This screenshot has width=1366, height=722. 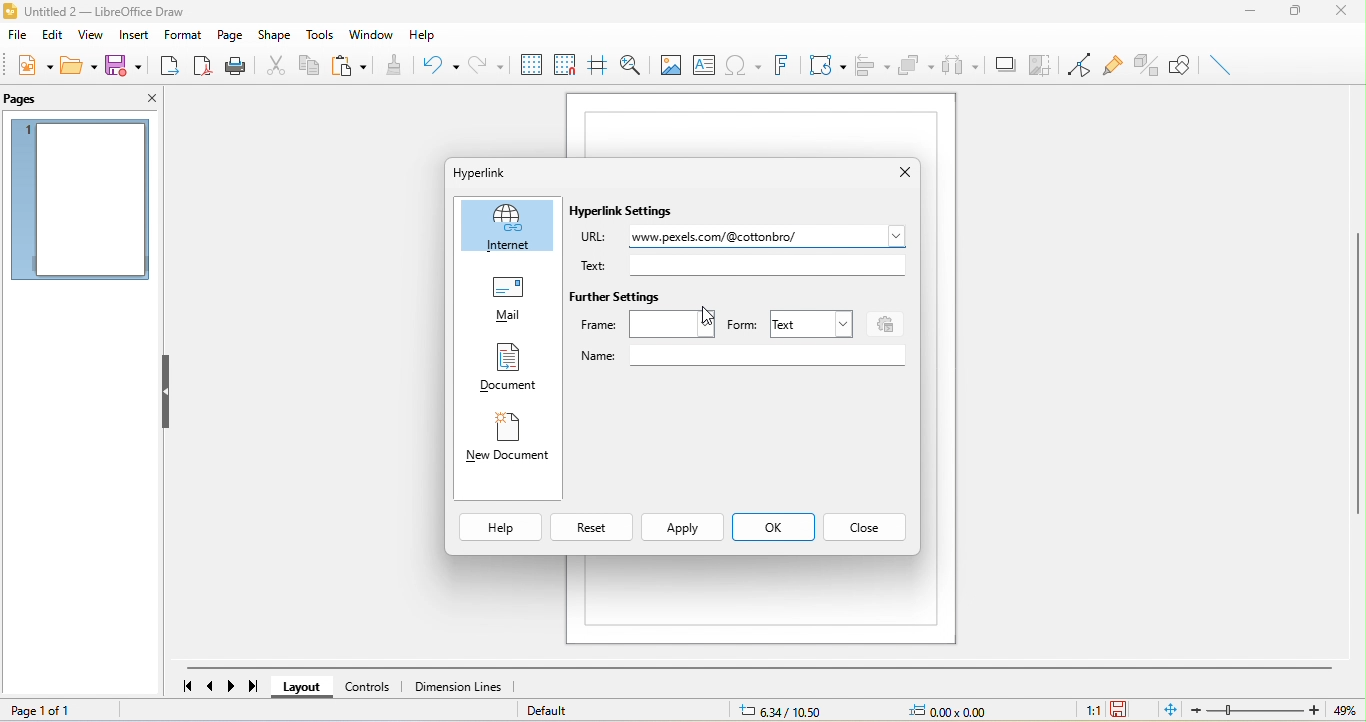 I want to click on url, so click(x=591, y=239).